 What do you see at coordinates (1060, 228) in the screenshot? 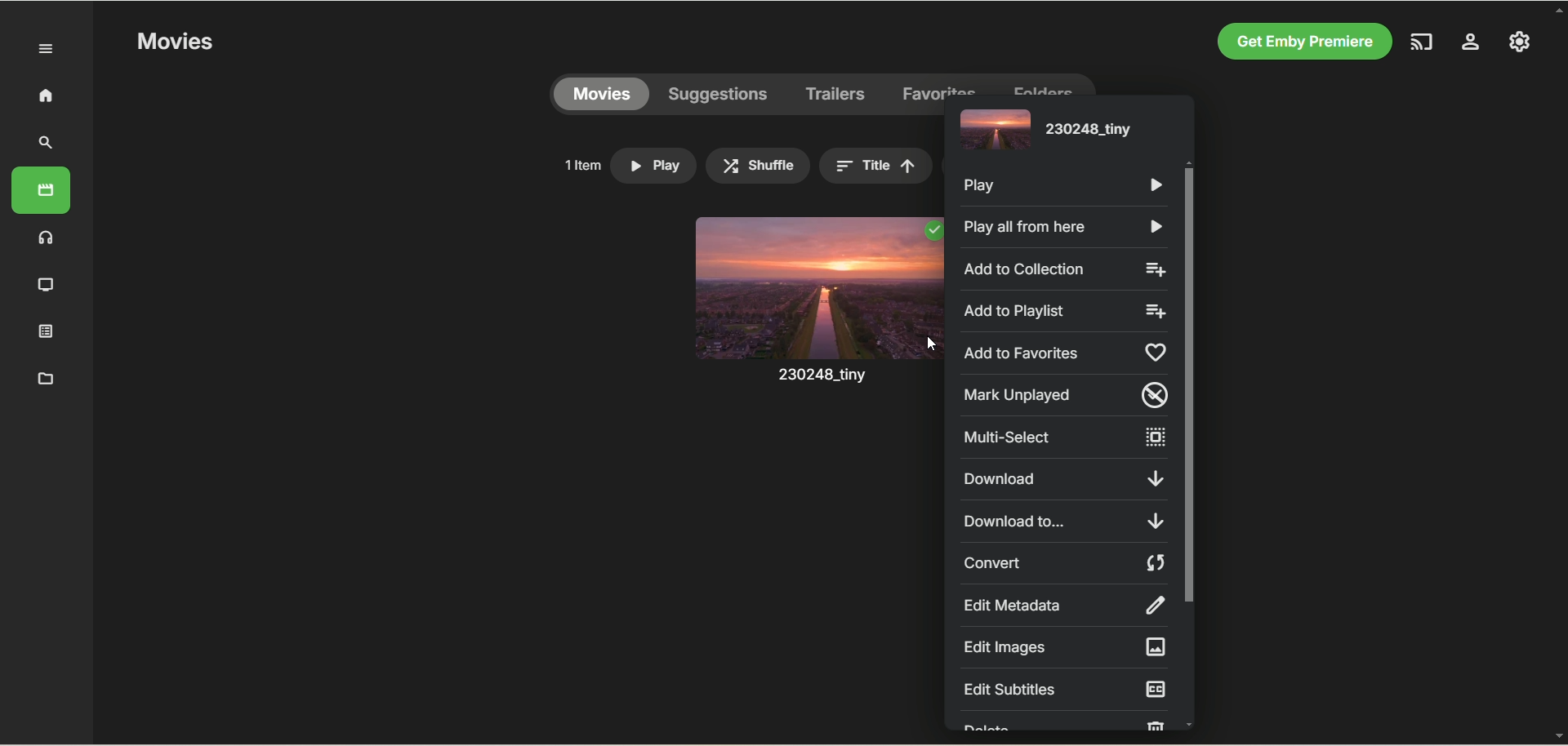
I see `play all from here` at bounding box center [1060, 228].